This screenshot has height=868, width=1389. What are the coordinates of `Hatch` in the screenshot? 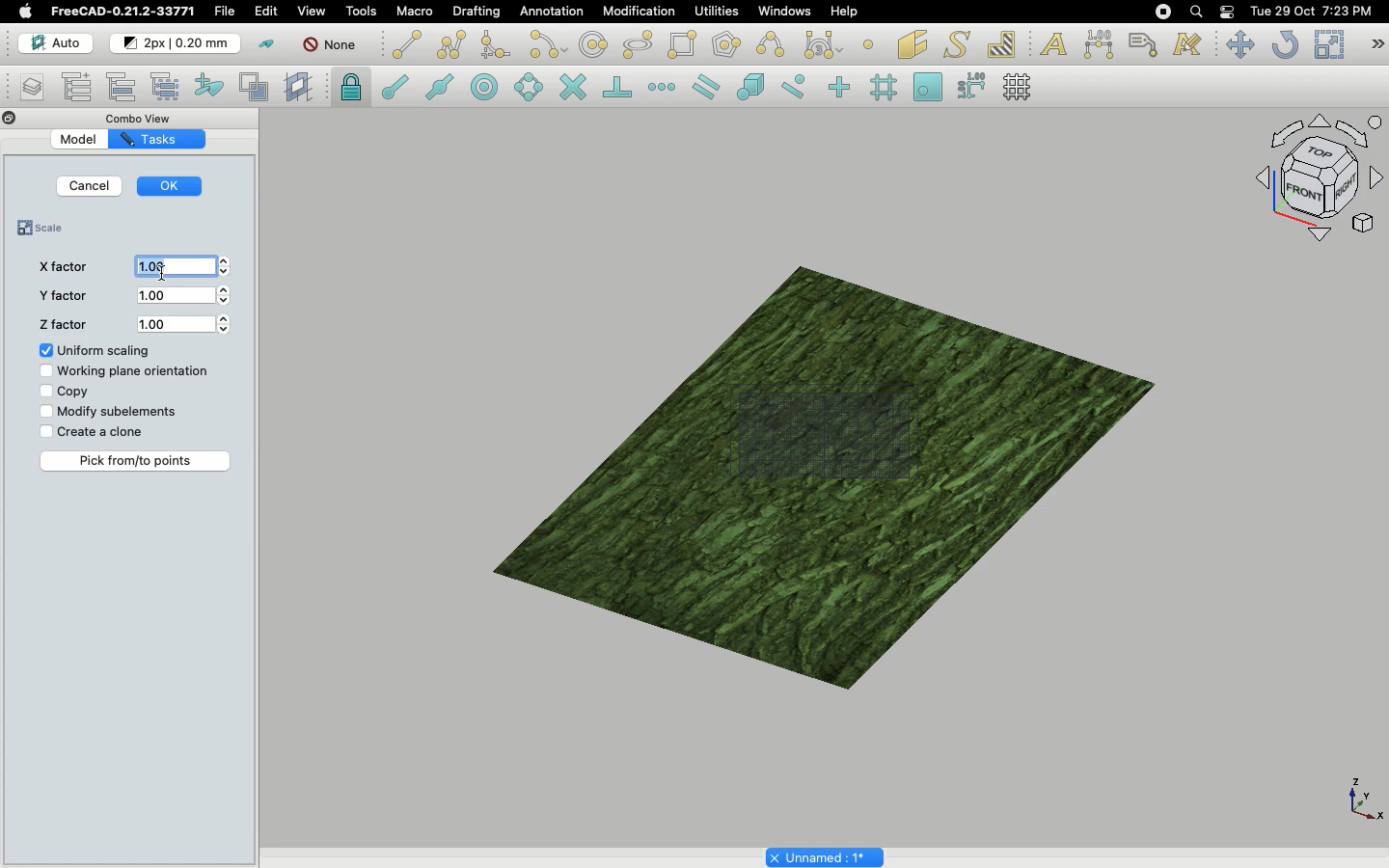 It's located at (1003, 42).